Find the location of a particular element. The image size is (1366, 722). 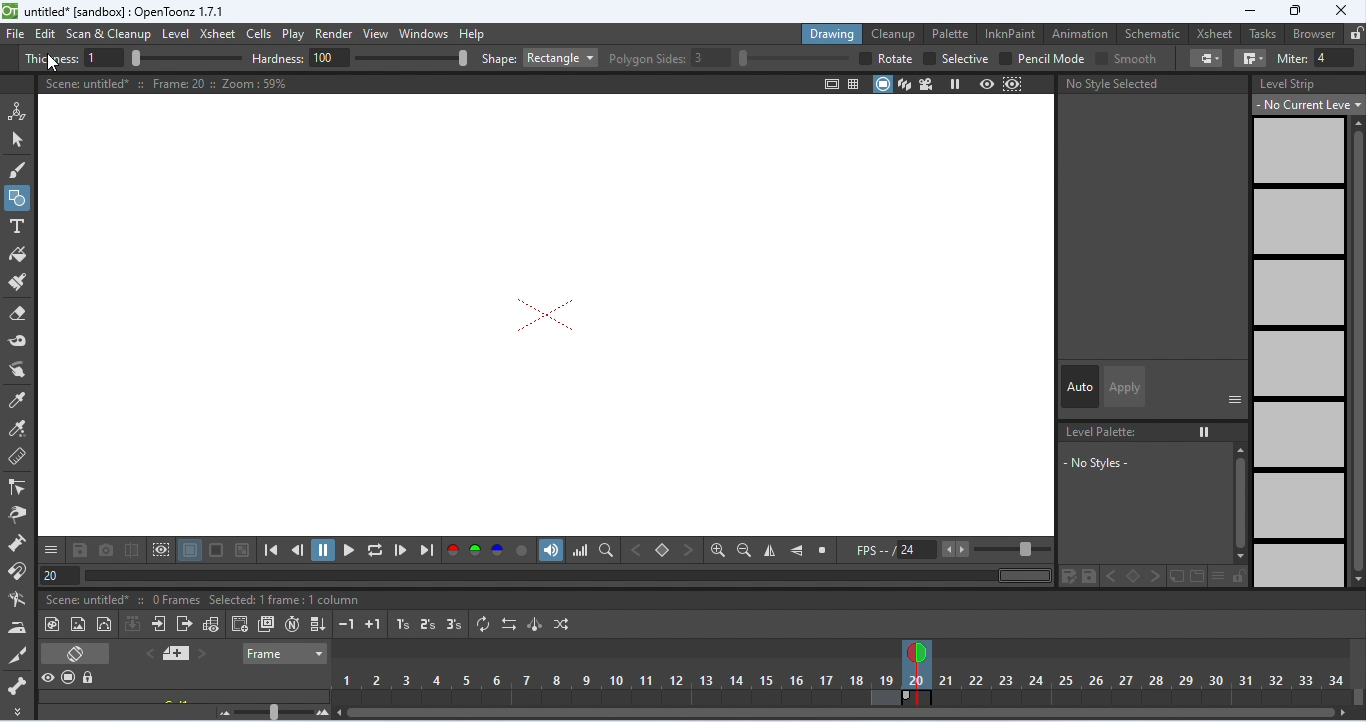

random is located at coordinates (558, 625).